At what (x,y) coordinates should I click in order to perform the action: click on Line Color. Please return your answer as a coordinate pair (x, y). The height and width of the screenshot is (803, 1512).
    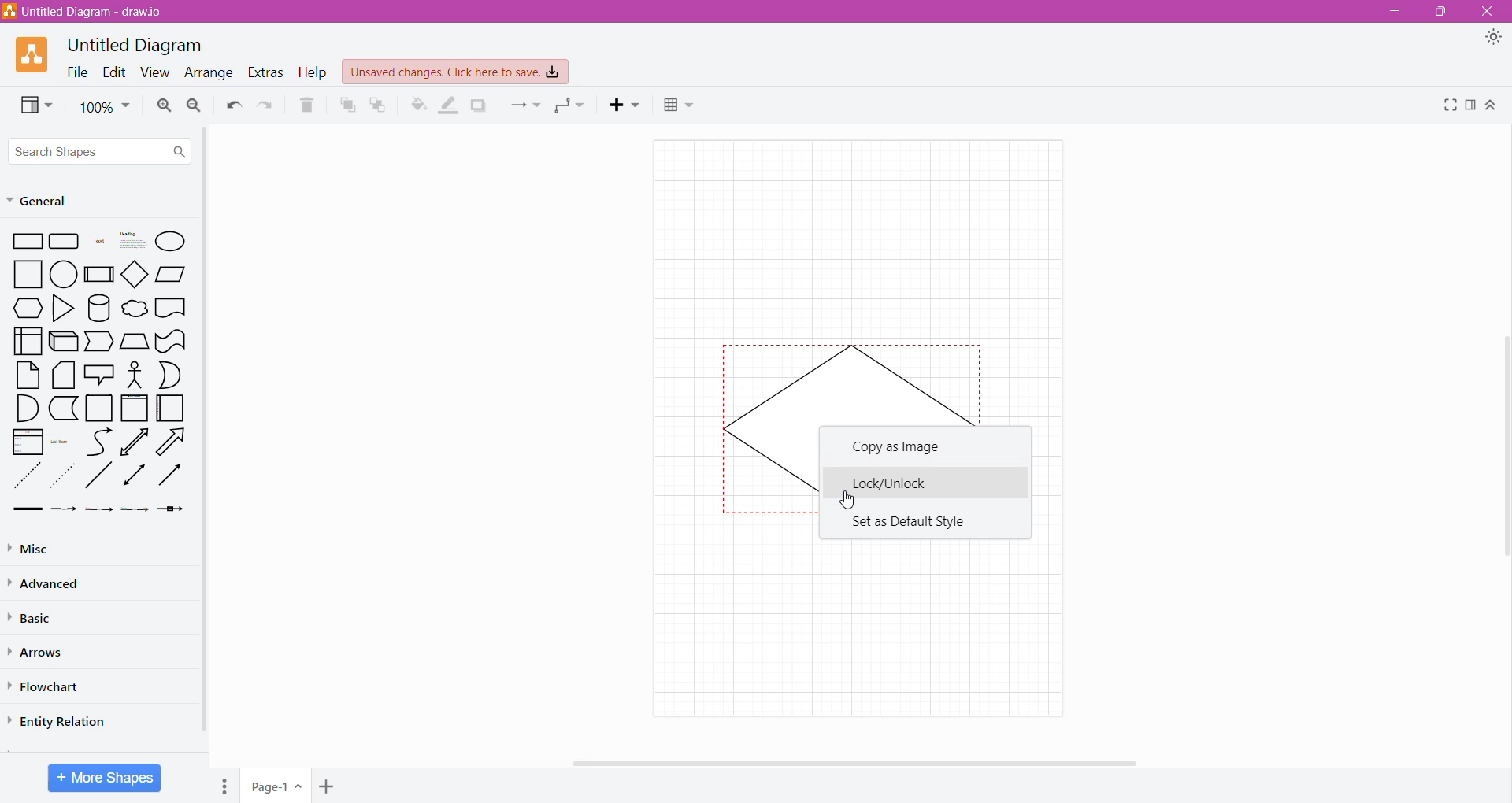
    Looking at the image, I should click on (449, 105).